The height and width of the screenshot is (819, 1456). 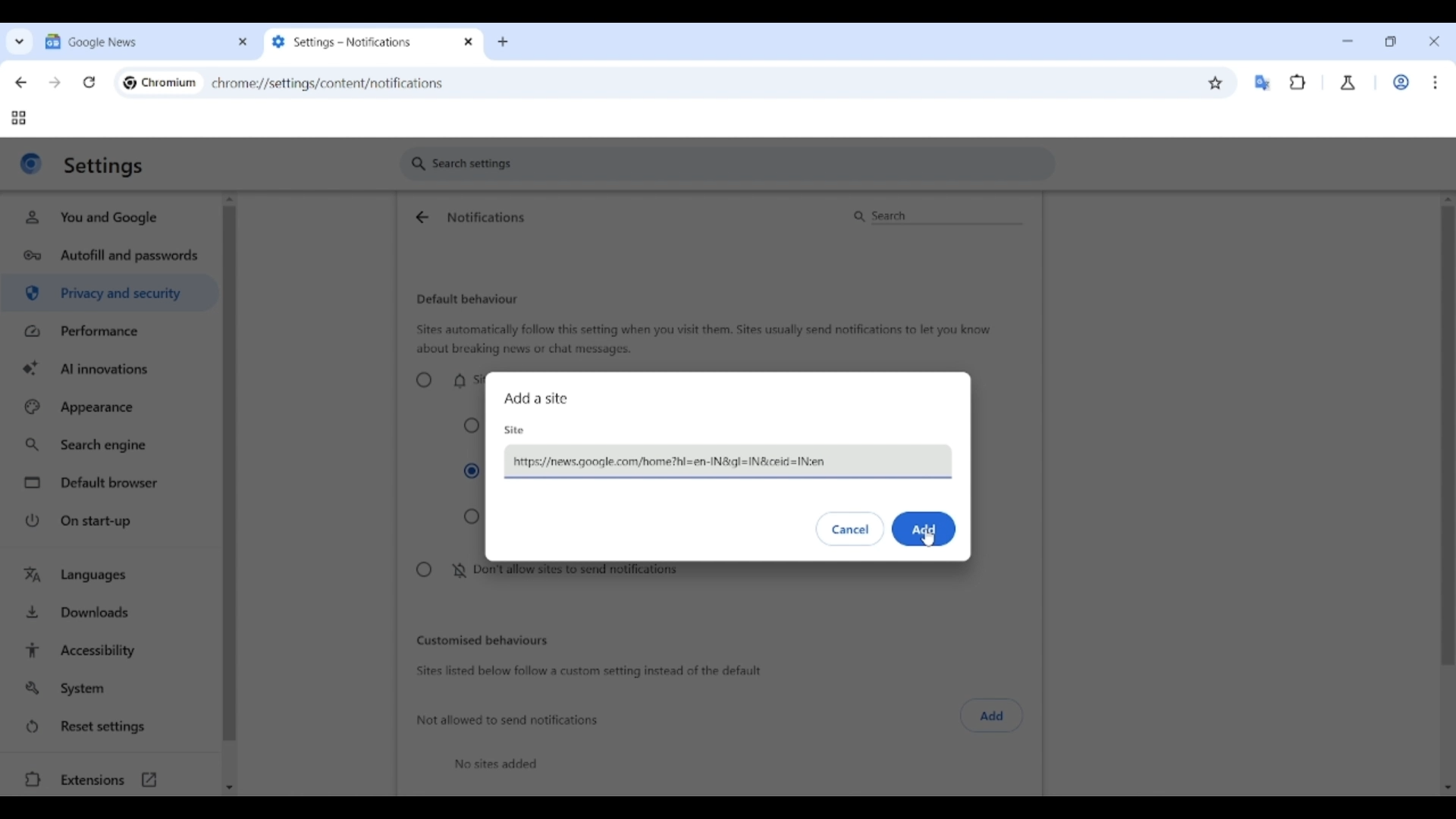 I want to click on Minimize, so click(x=1348, y=41).